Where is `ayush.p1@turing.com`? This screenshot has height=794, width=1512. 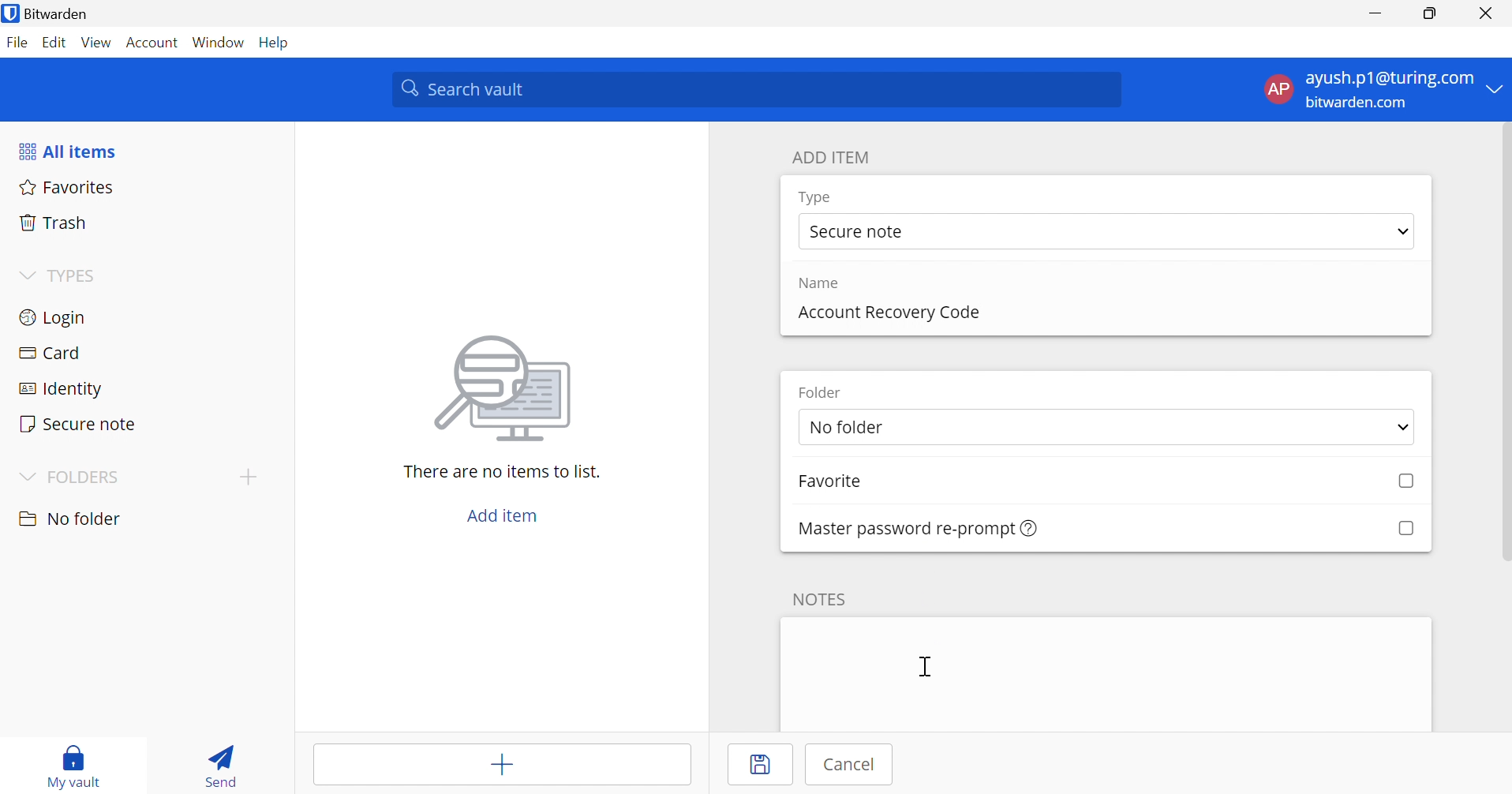
ayush.p1@turing.com is located at coordinates (1389, 79).